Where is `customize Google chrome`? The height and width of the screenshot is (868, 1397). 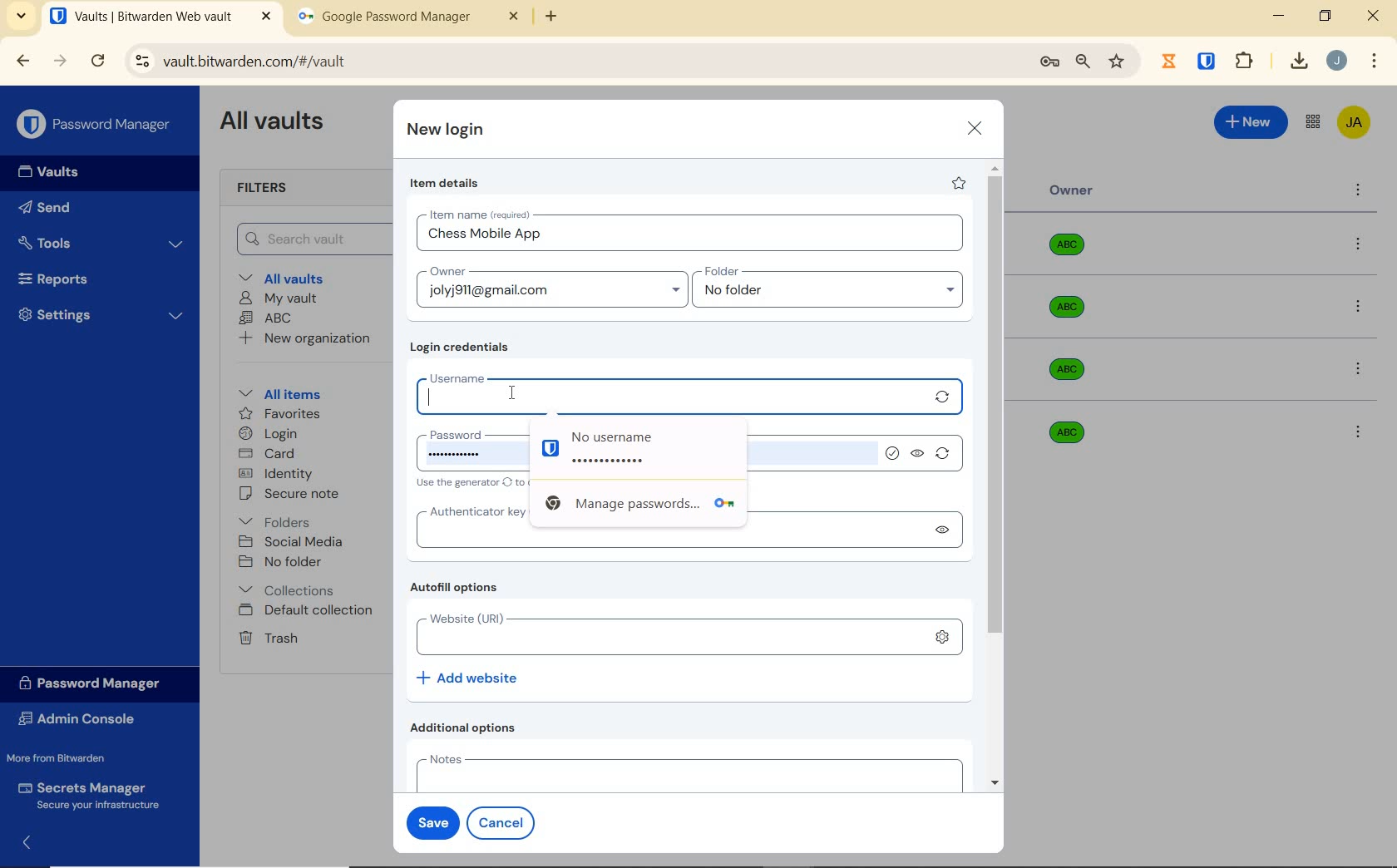 customize Google chrome is located at coordinates (1375, 62).